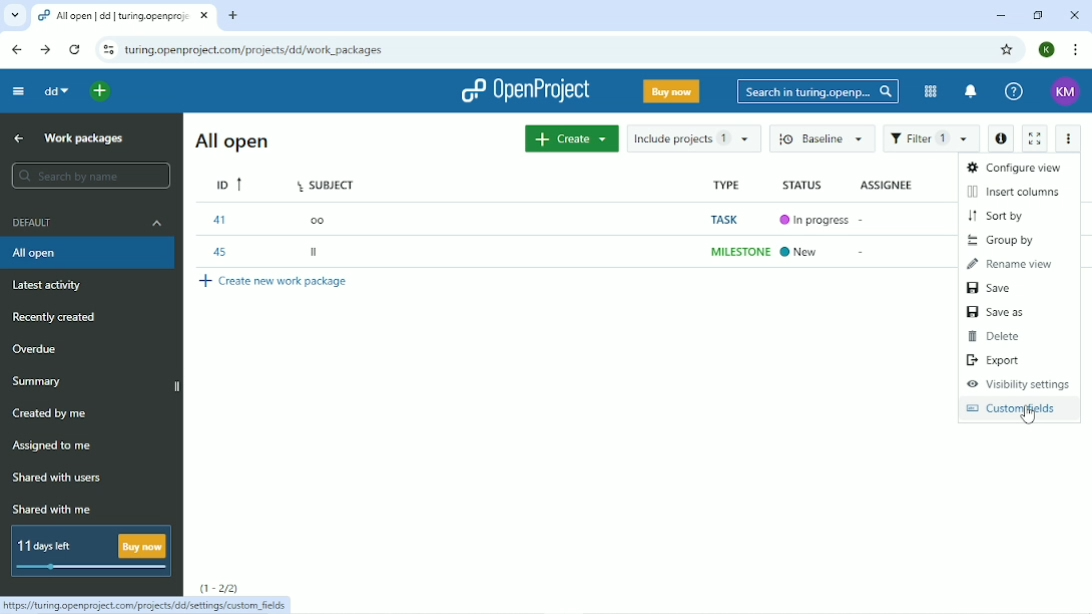 This screenshot has height=614, width=1092. What do you see at coordinates (321, 221) in the screenshot?
I see `oo` at bounding box center [321, 221].